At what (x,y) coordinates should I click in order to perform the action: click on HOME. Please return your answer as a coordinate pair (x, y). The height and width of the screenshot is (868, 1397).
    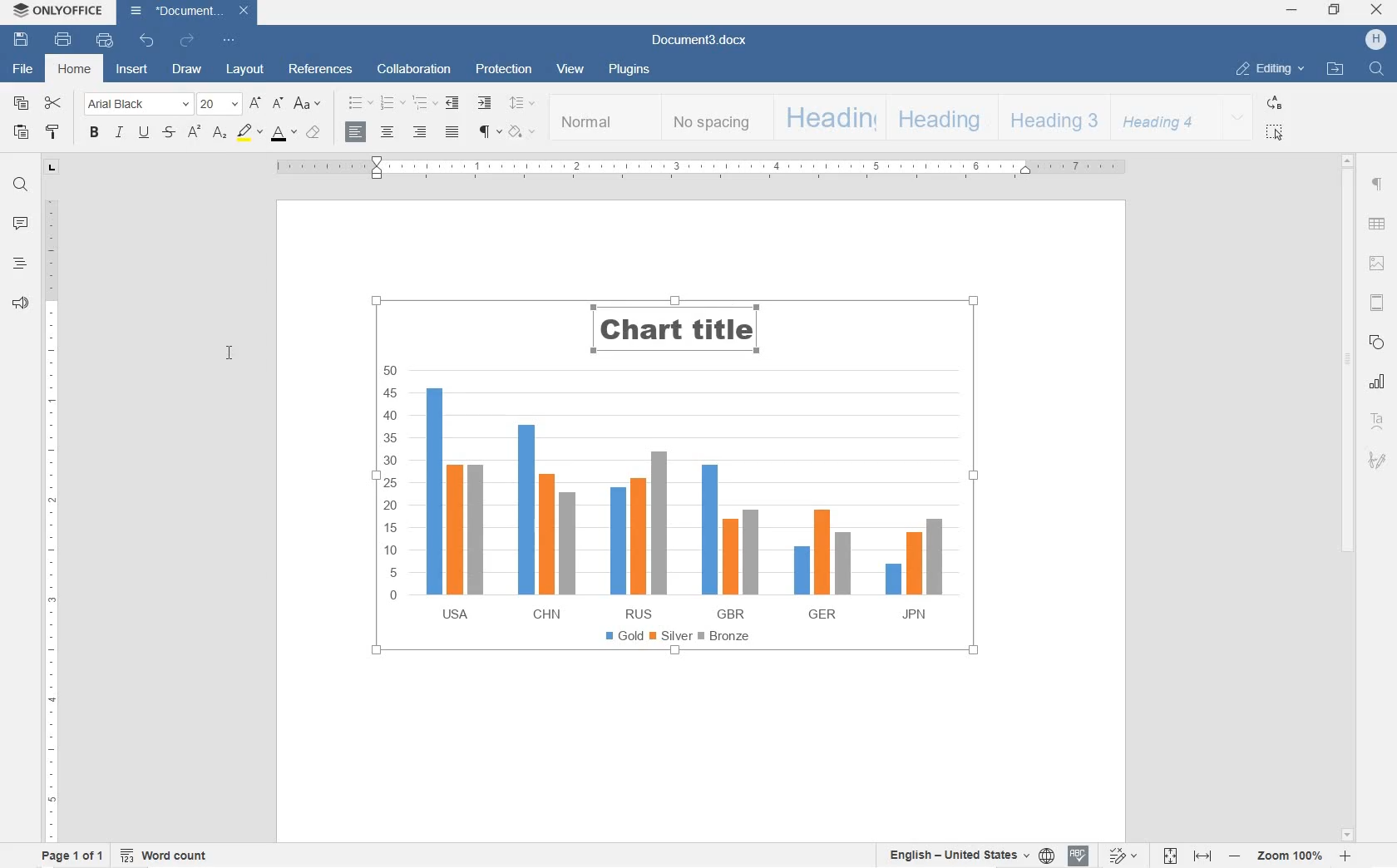
    Looking at the image, I should click on (74, 71).